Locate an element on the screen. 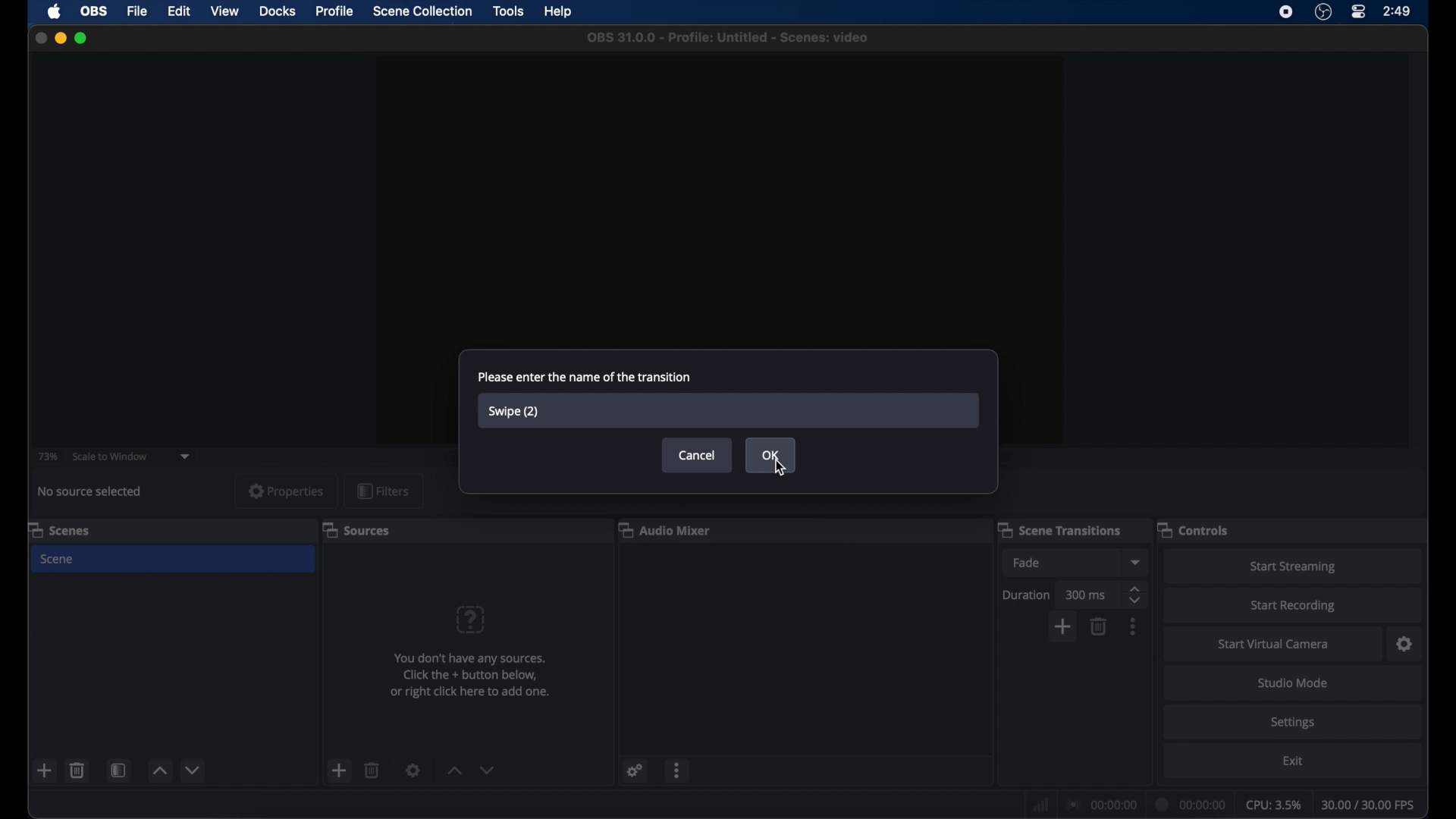 This screenshot has height=819, width=1456. start virtual camera is located at coordinates (1273, 645).